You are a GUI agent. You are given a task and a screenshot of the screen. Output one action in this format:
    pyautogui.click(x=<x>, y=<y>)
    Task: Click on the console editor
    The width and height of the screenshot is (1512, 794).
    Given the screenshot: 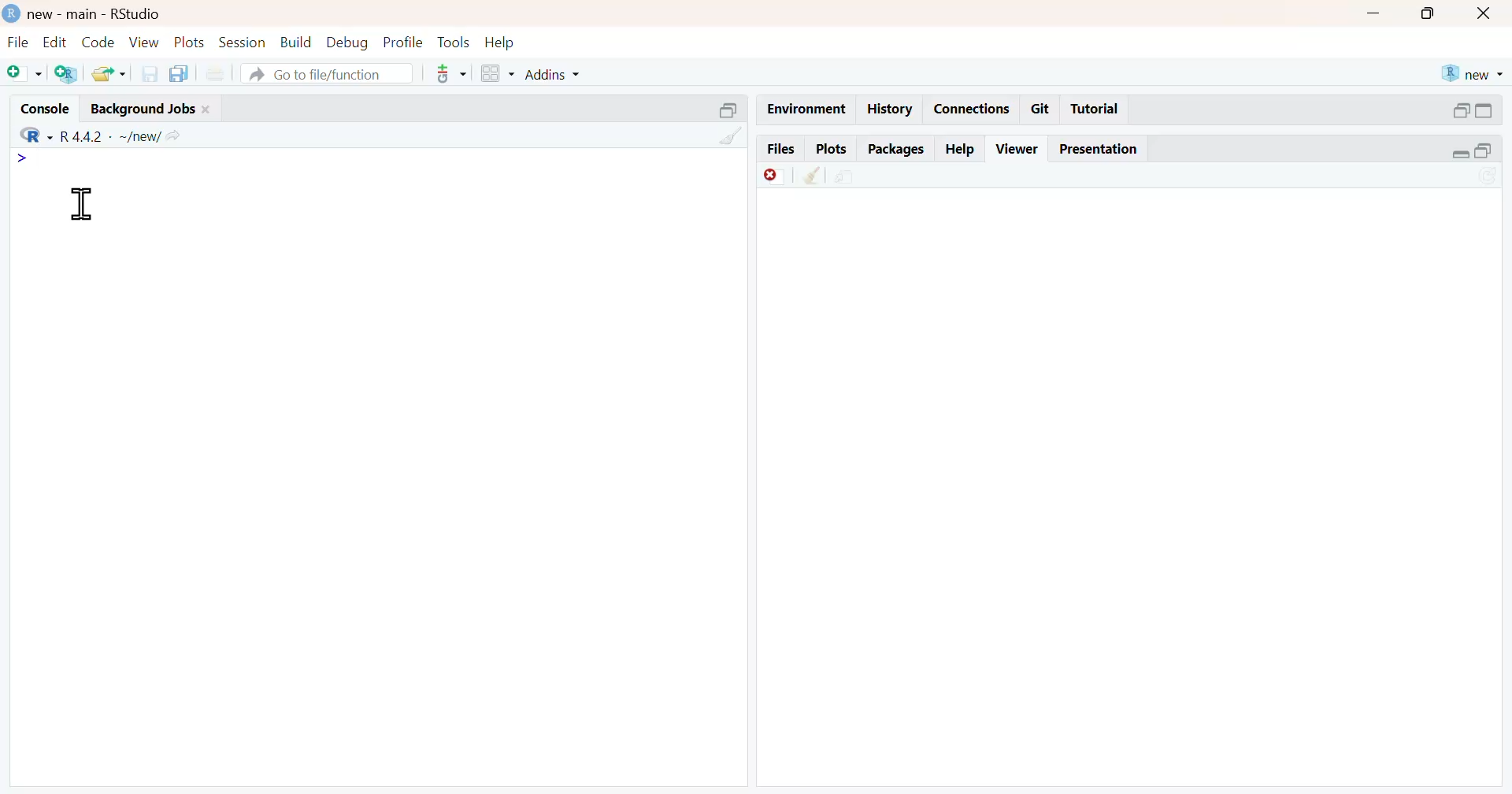 What is the action you would take?
    pyautogui.click(x=233, y=178)
    